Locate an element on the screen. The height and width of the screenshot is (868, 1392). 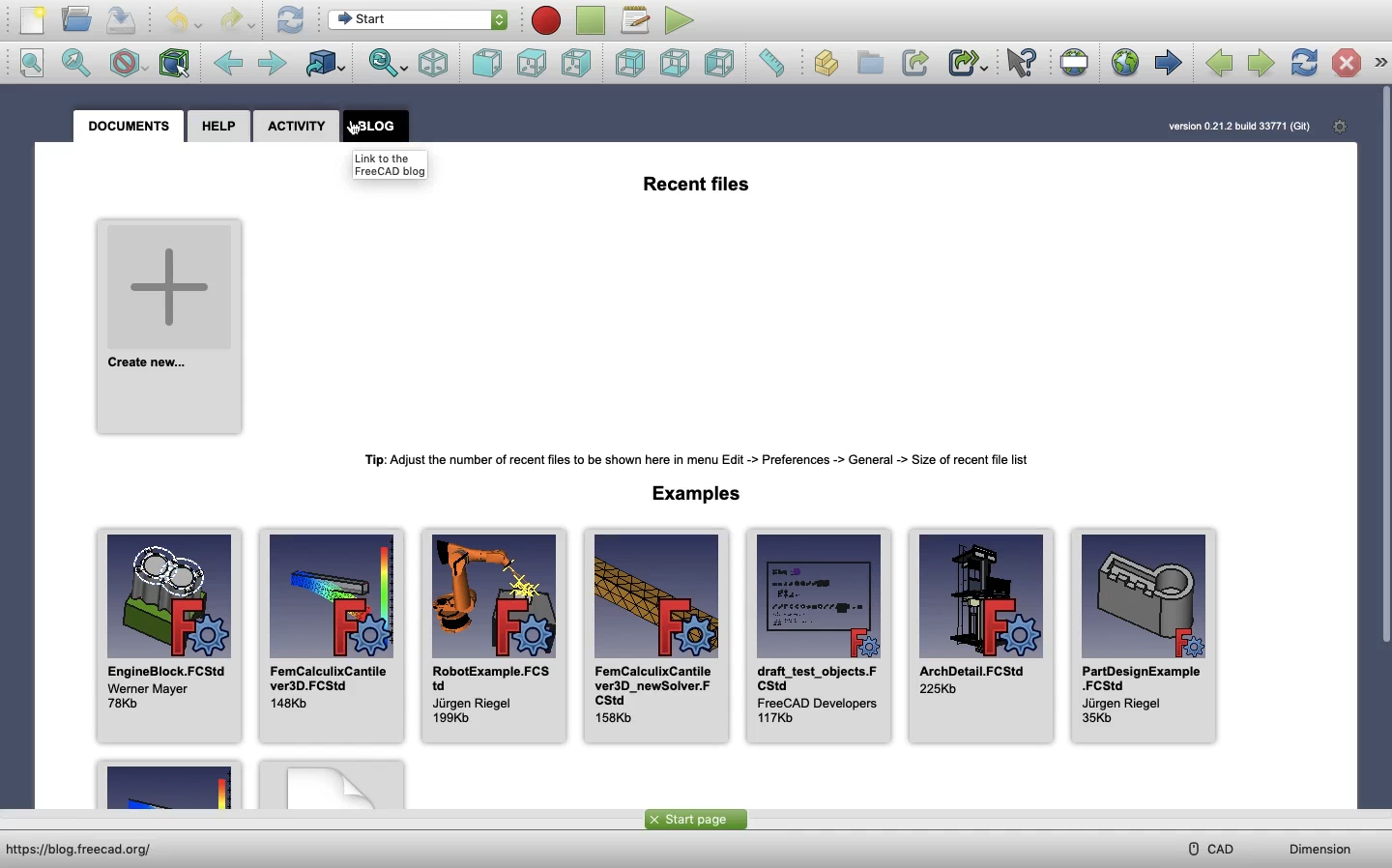
Vertical Scroll Bar is located at coordinates (1383, 445).